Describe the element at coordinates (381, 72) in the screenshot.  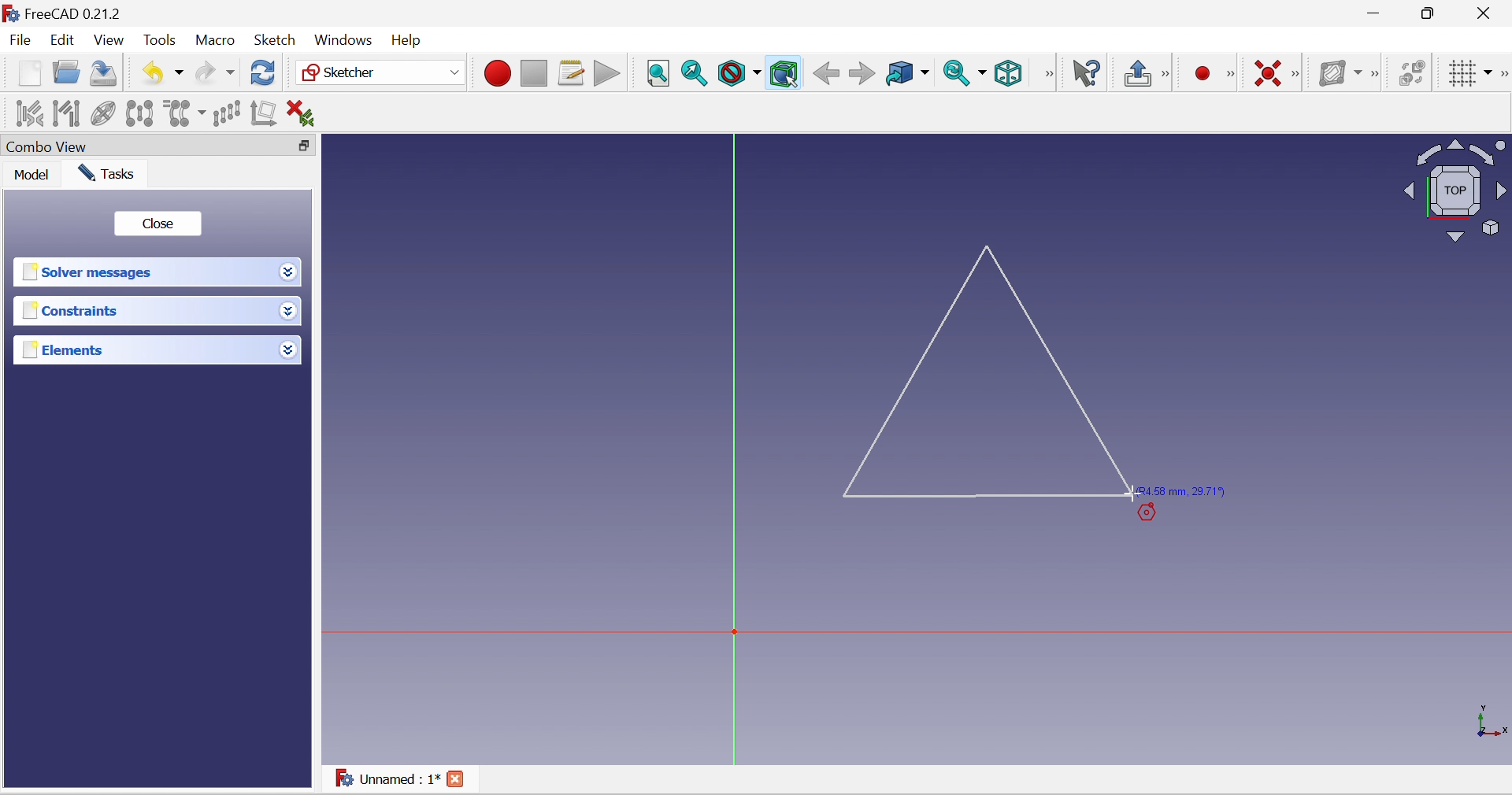
I see `Sketcher` at that location.